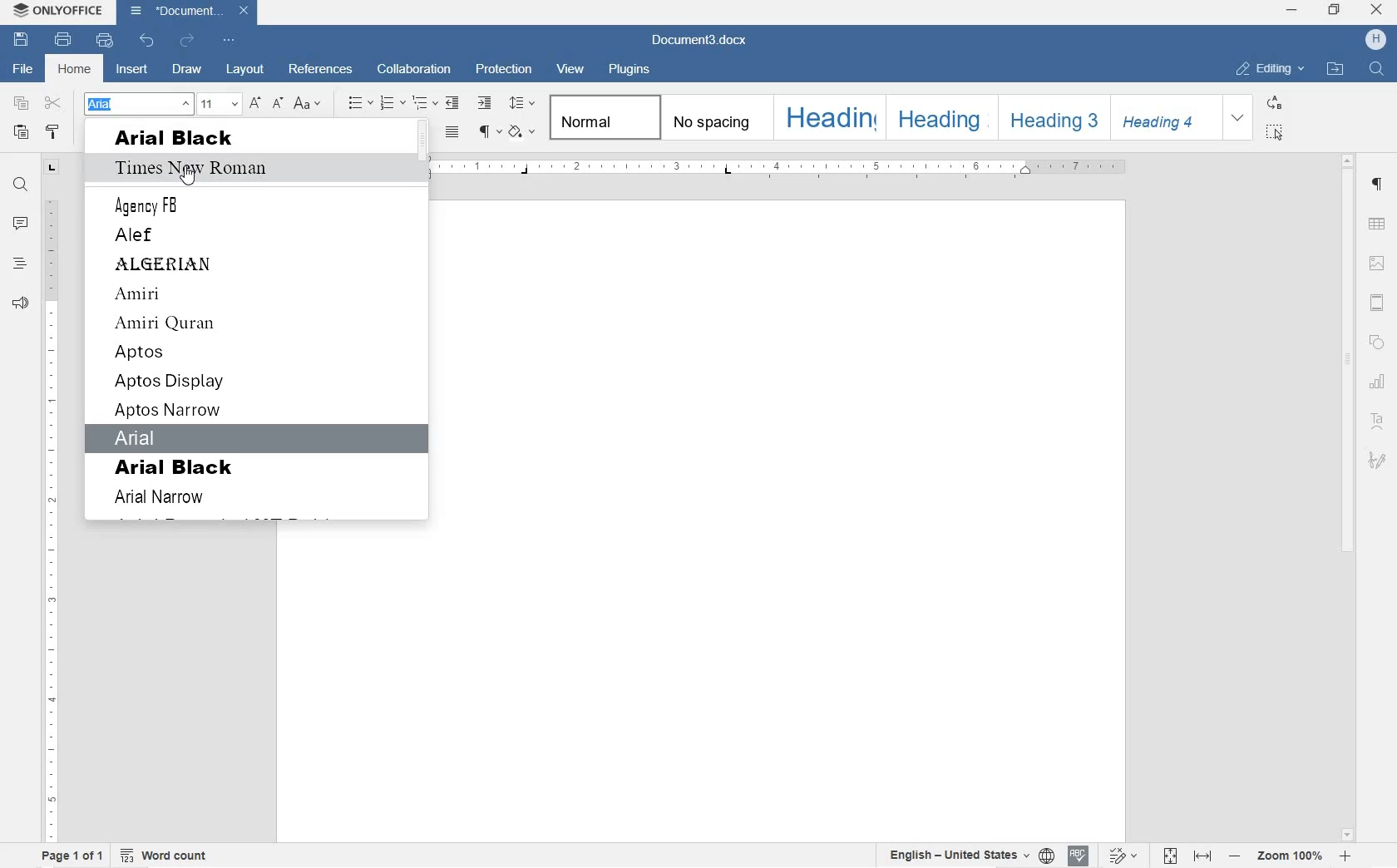 The image size is (1397, 868). I want to click on NORMAL, so click(602, 116).